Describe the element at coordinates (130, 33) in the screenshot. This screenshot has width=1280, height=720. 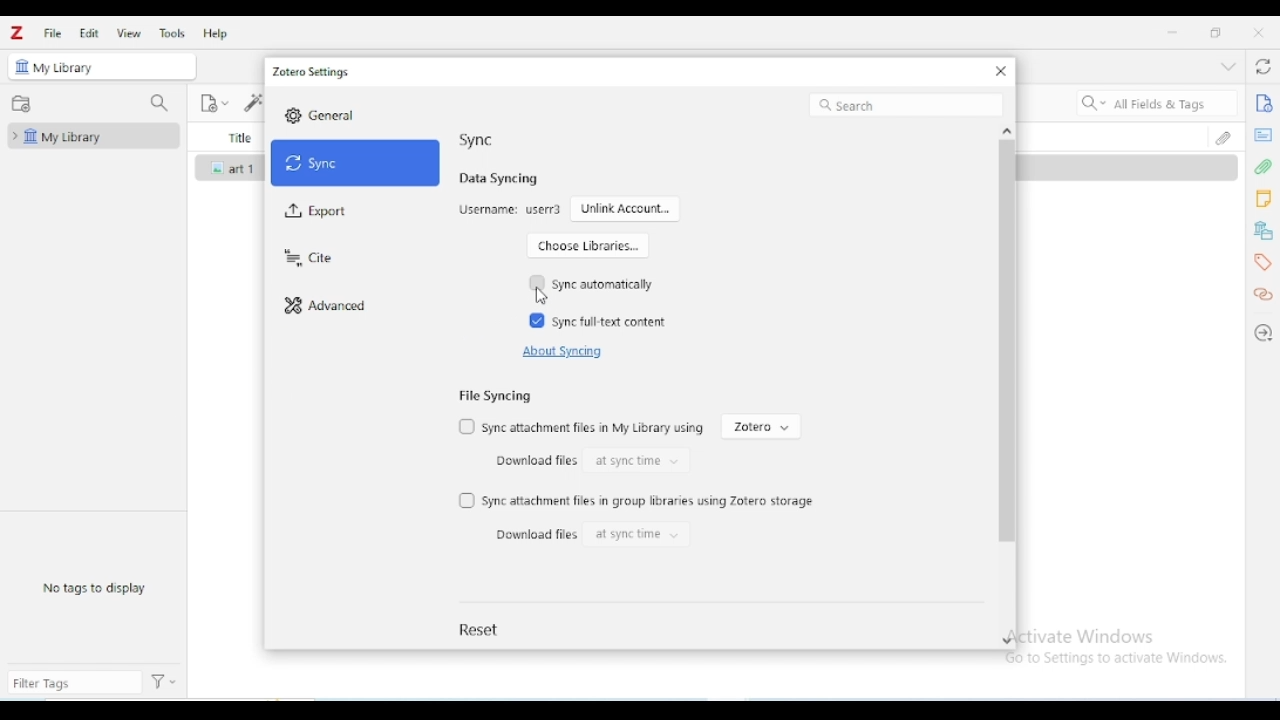
I see `view` at that location.